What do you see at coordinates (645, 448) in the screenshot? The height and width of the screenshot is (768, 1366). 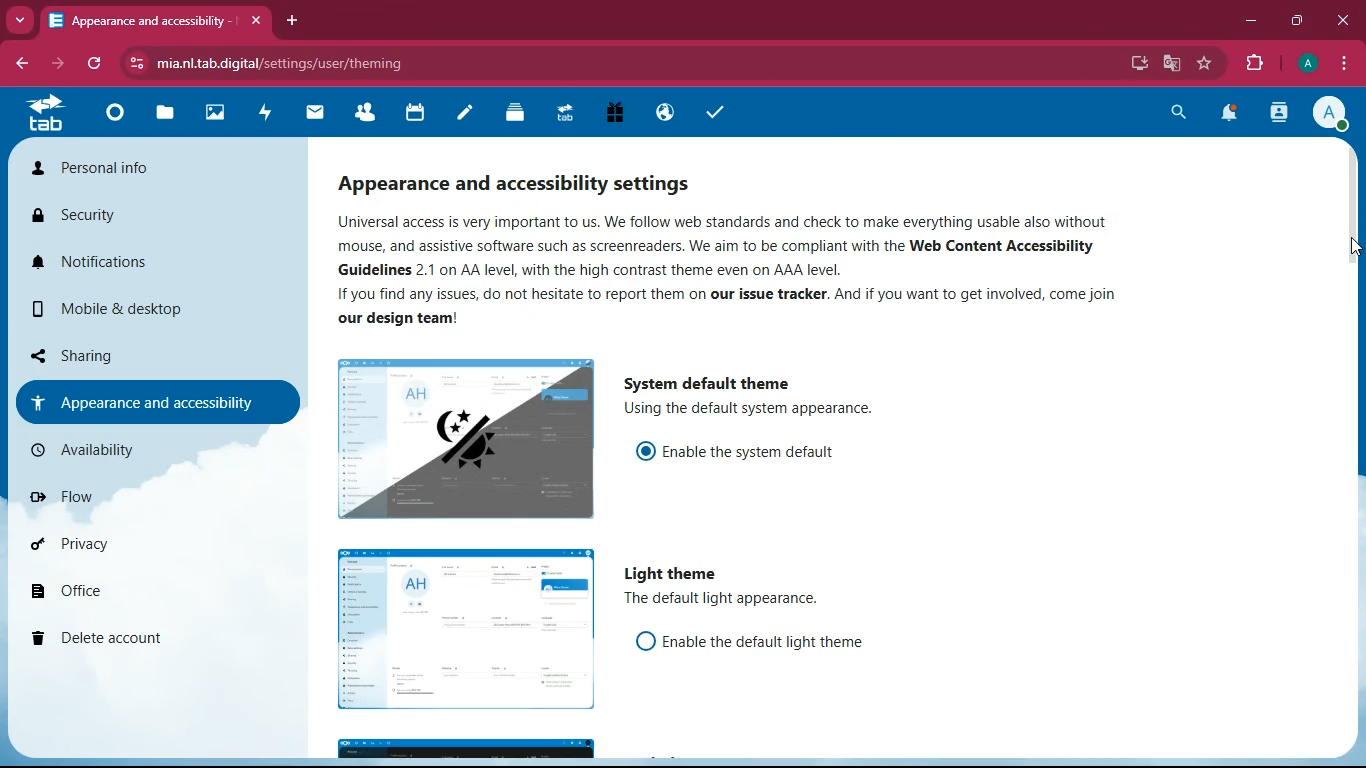 I see `on` at bounding box center [645, 448].